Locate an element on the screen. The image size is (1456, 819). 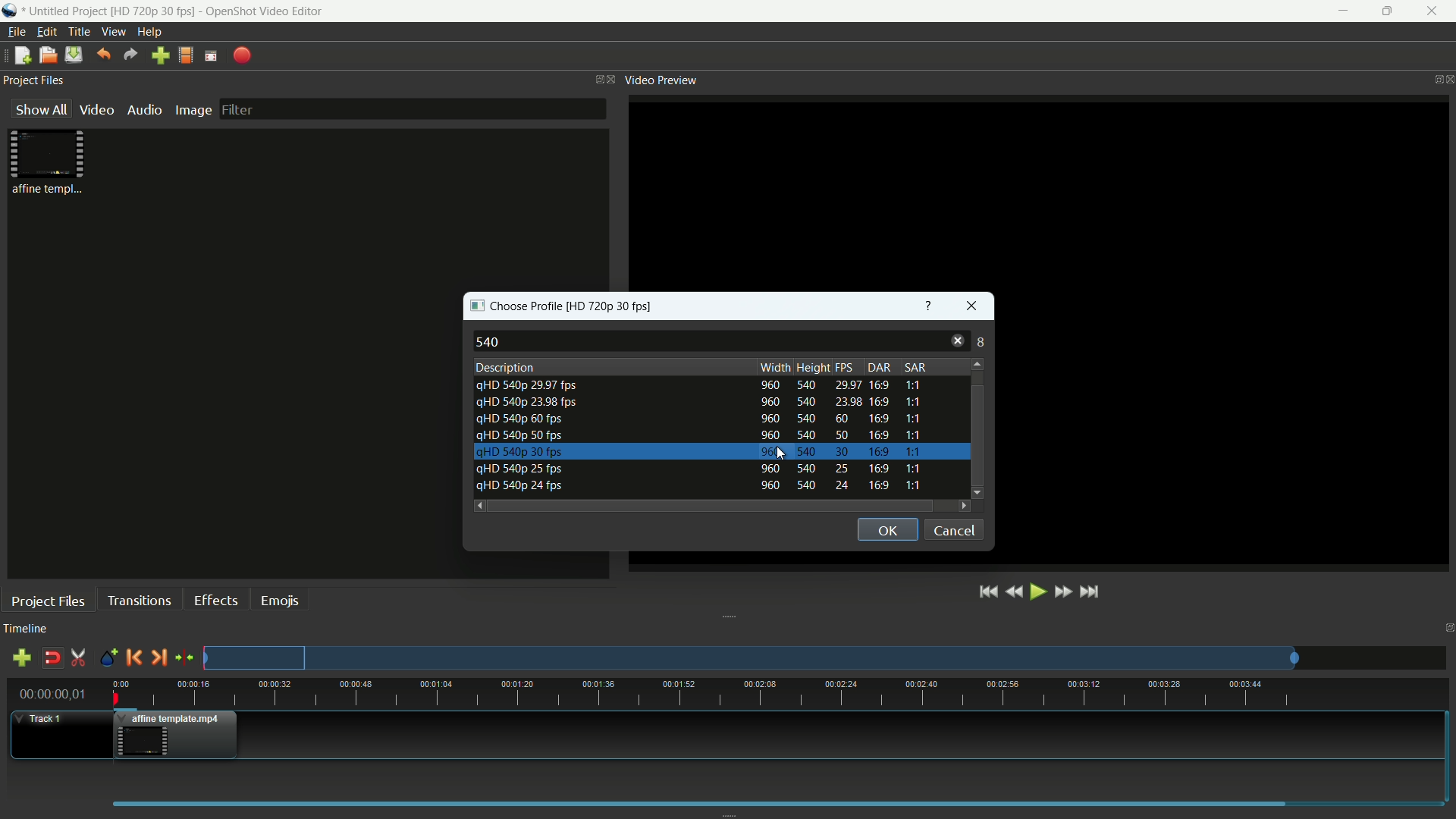
project name is located at coordinates (65, 11).